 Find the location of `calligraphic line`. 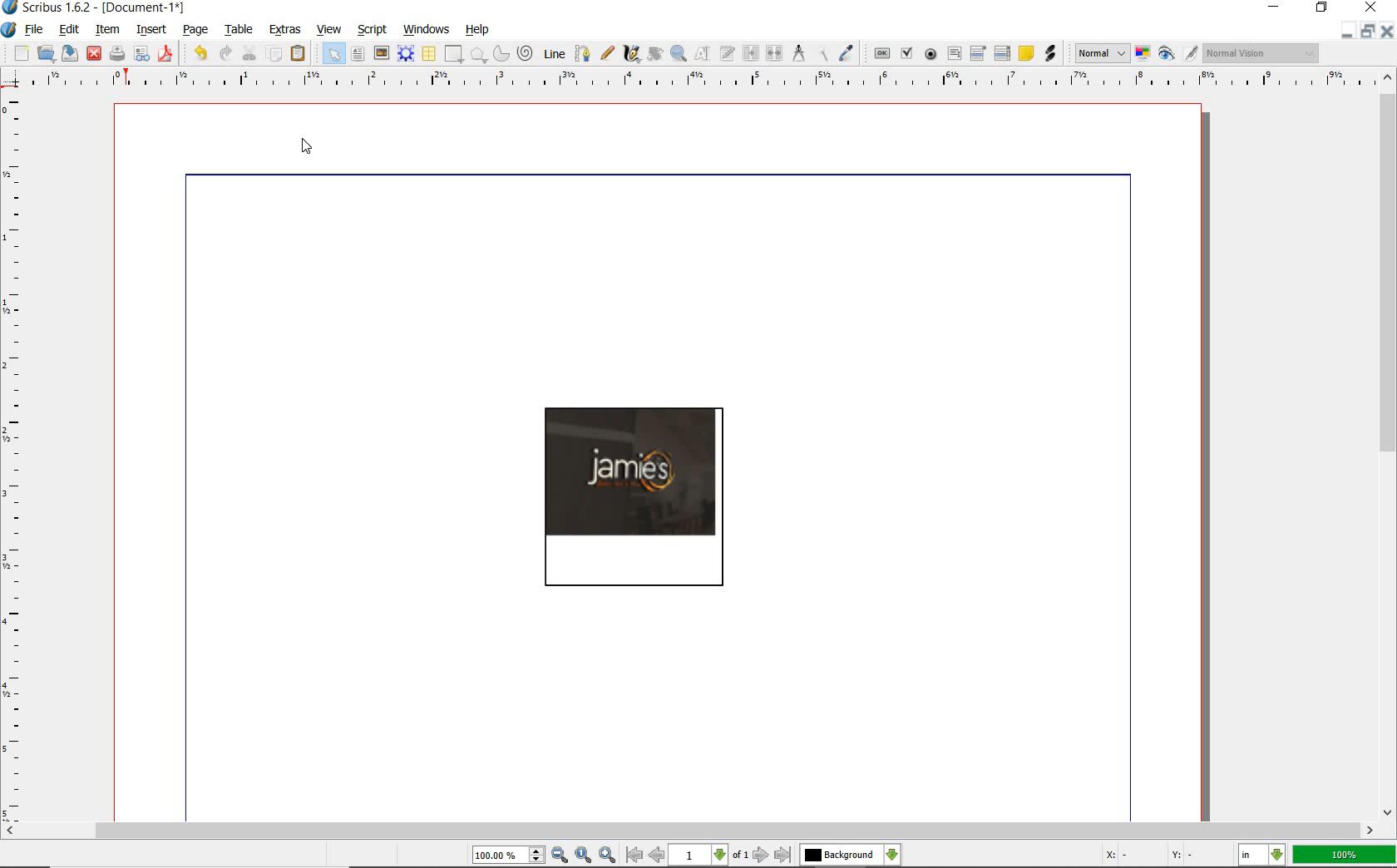

calligraphic line is located at coordinates (631, 55).